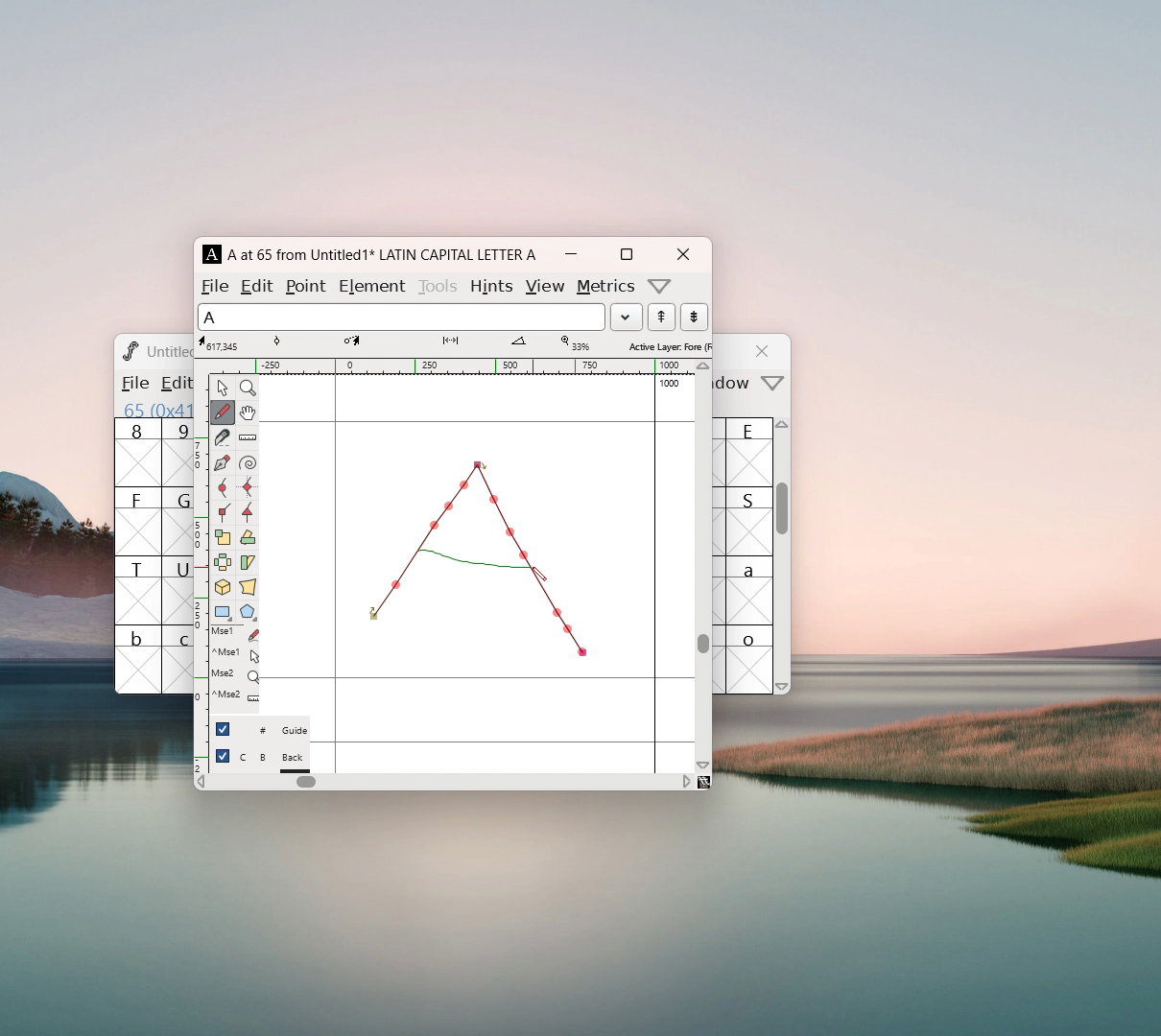 Image resolution: width=1161 pixels, height=1036 pixels. Describe the element at coordinates (490, 286) in the screenshot. I see `hints` at that location.